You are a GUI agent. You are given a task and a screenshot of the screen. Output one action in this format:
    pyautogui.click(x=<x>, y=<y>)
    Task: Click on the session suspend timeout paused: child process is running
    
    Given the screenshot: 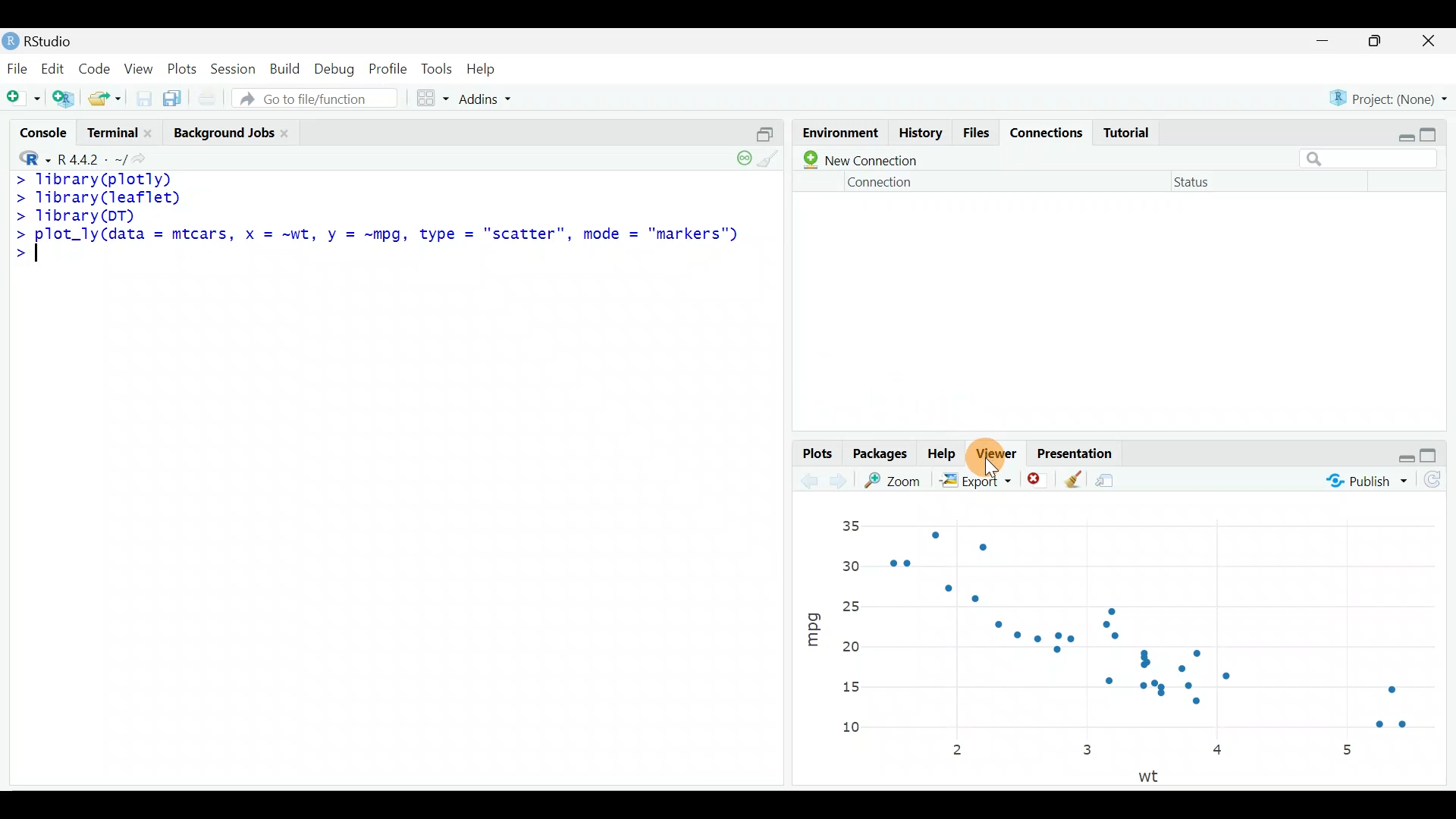 What is the action you would take?
    pyautogui.click(x=740, y=165)
    